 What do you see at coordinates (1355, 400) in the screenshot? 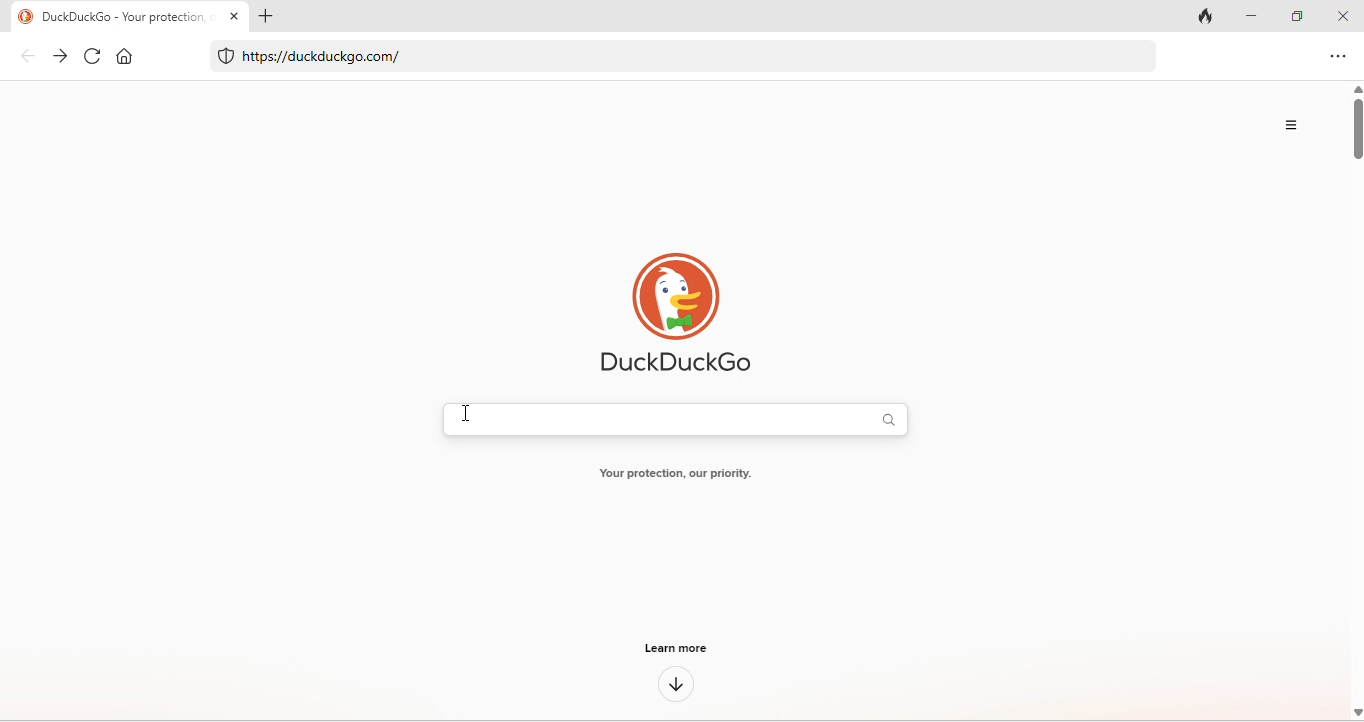
I see `vertical scroll bar` at bounding box center [1355, 400].